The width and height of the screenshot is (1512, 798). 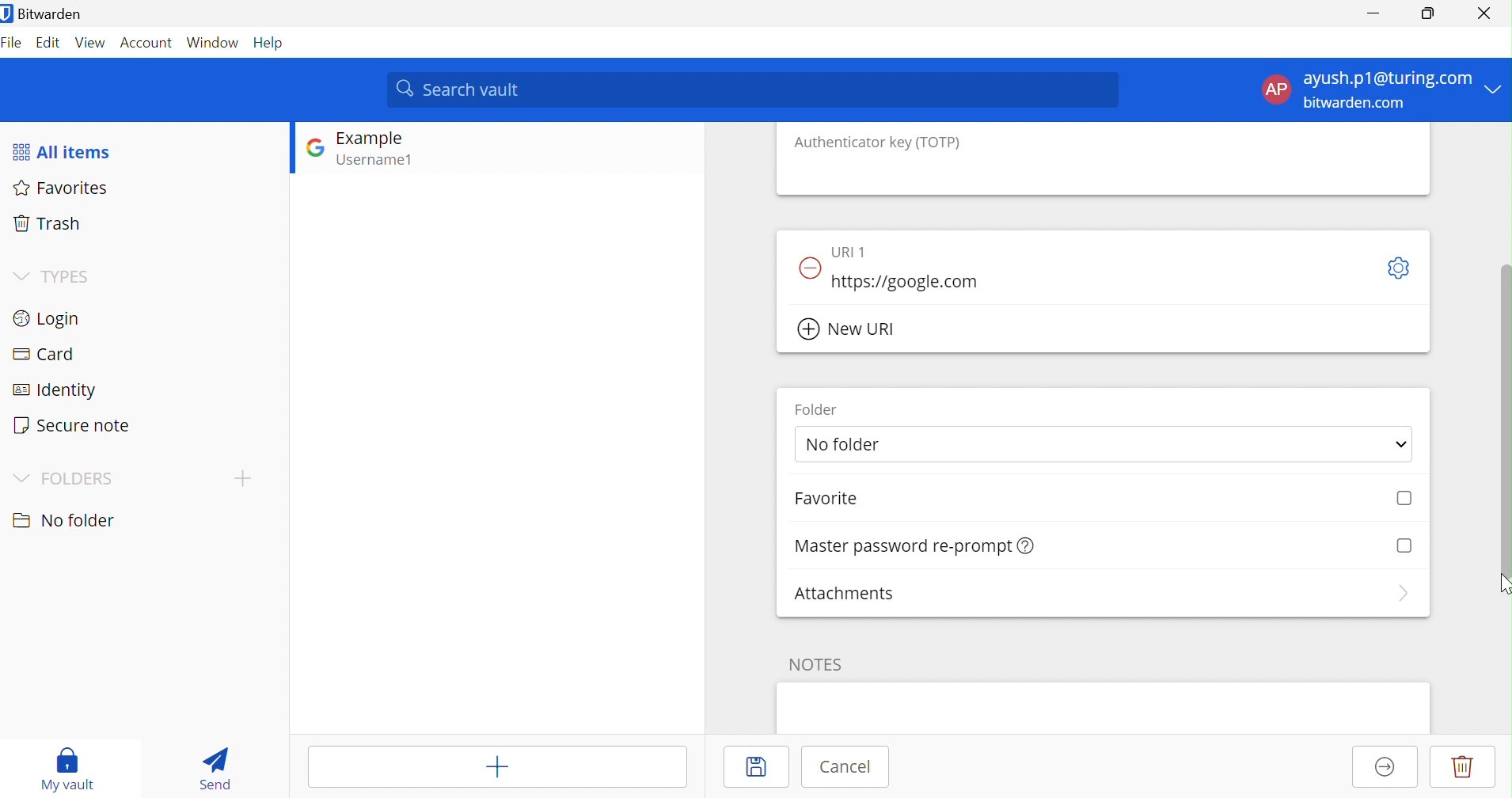 What do you see at coordinates (394, 151) in the screenshot?
I see `GOOGLE LOGIN ENTRY` at bounding box center [394, 151].